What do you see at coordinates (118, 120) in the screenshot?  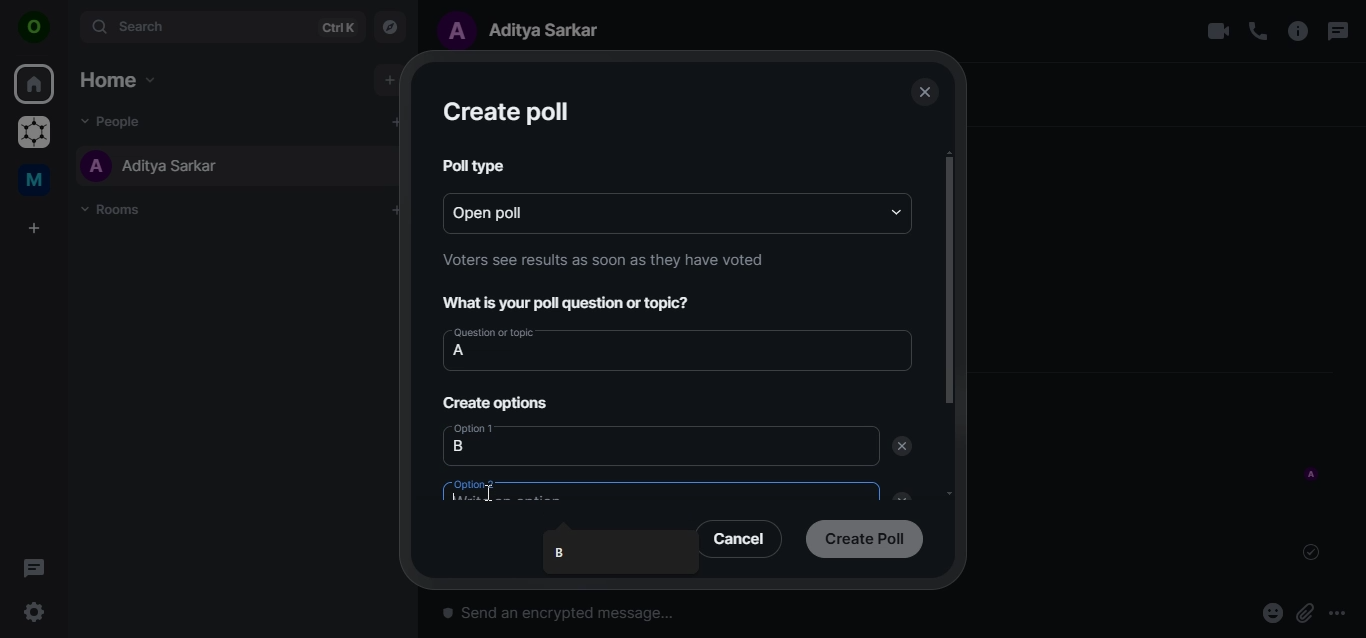 I see `people` at bounding box center [118, 120].